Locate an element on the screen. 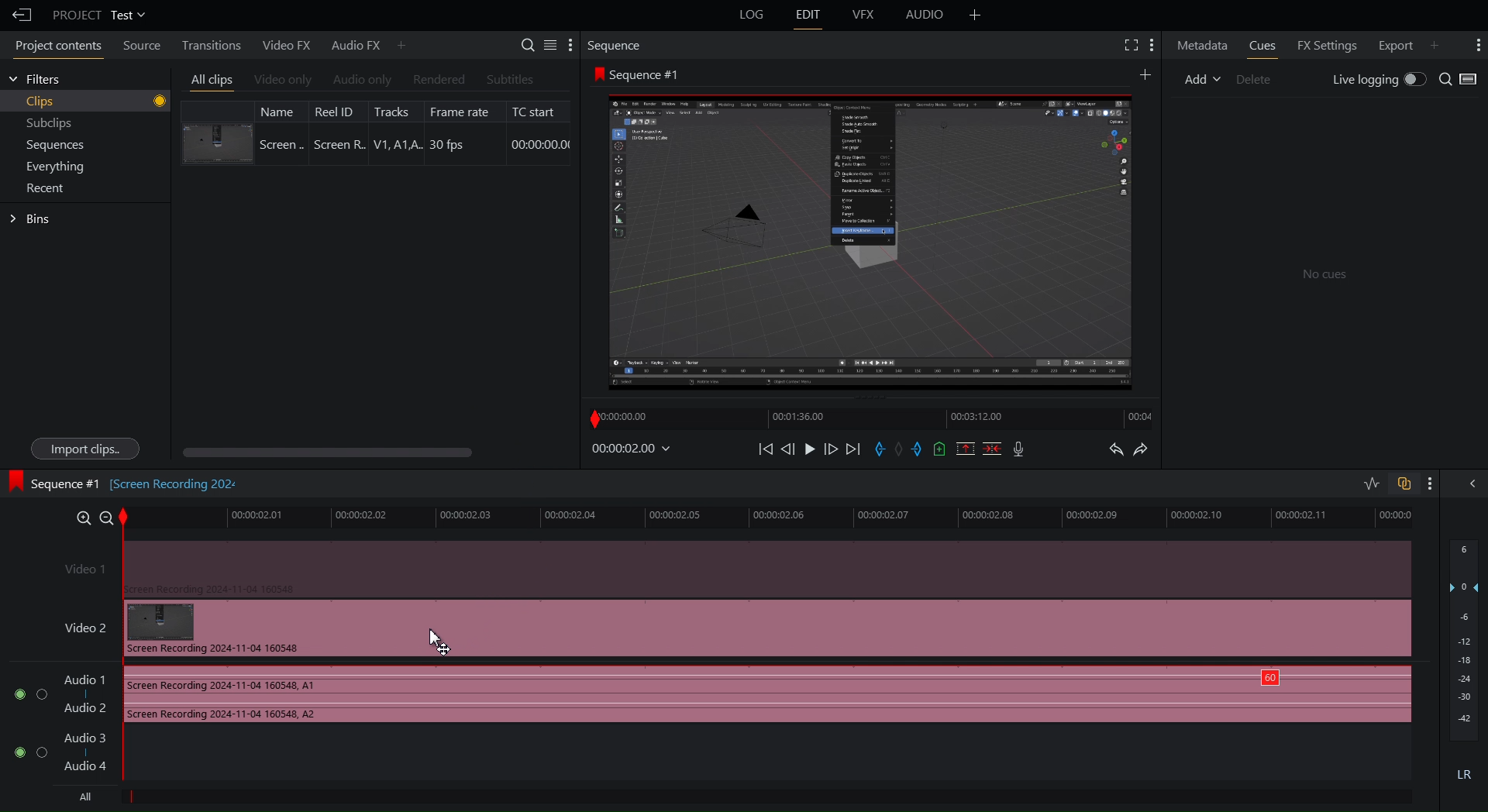  Preview  is located at coordinates (870, 239).